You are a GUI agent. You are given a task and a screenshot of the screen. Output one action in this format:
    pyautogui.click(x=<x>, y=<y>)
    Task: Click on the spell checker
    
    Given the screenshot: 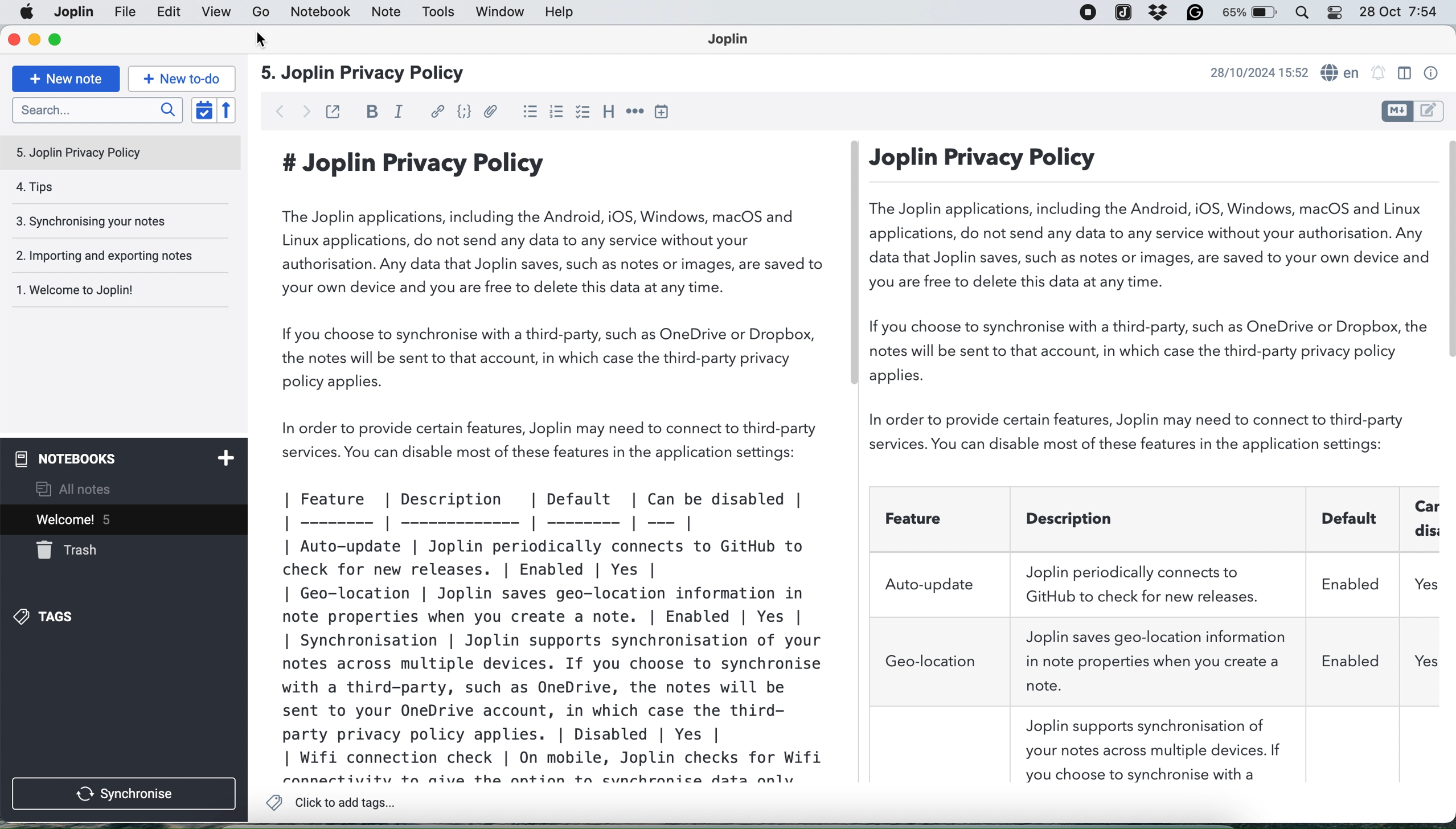 What is the action you would take?
    pyautogui.click(x=1342, y=73)
    